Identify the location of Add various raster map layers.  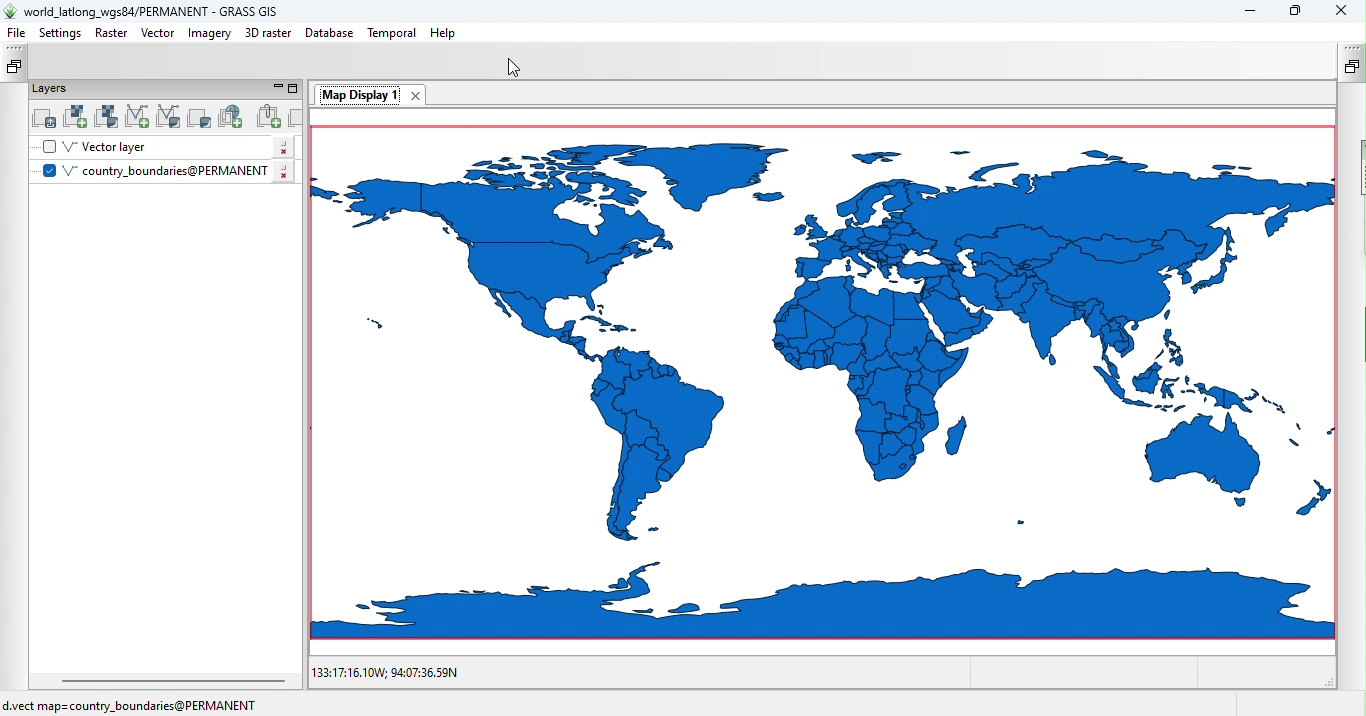
(108, 116).